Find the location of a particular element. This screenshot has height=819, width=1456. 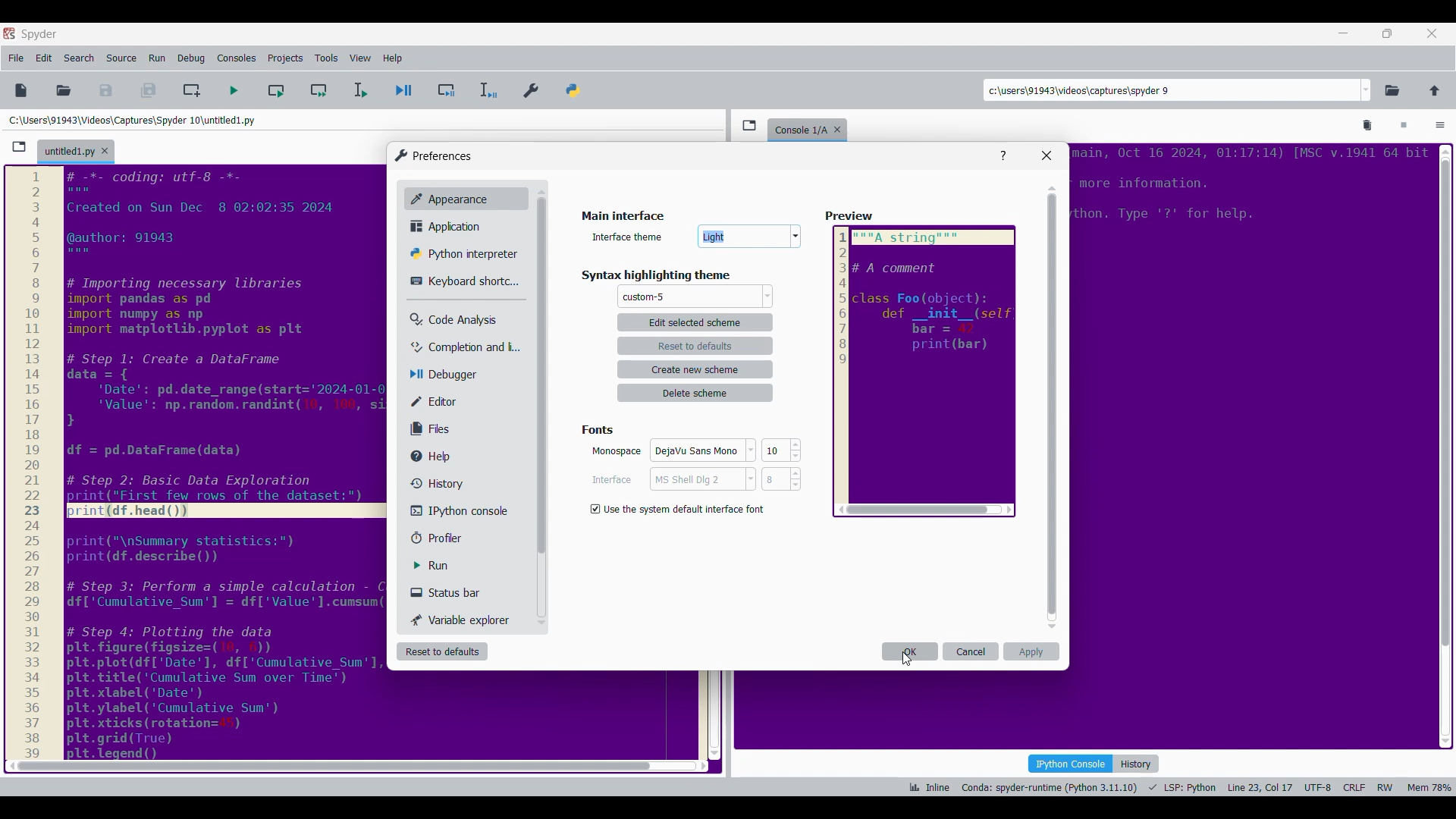

Cancel is located at coordinates (971, 651).